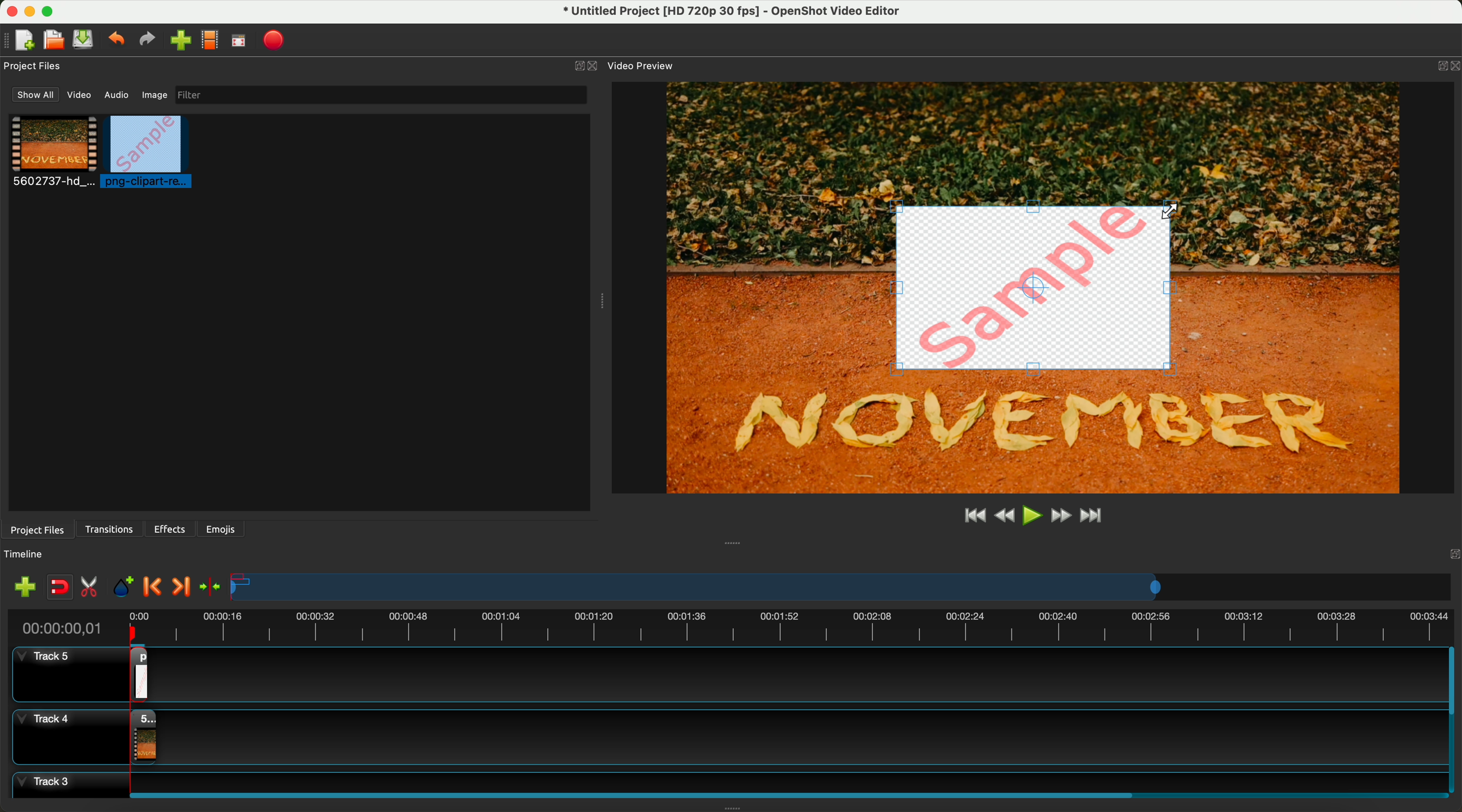 The height and width of the screenshot is (812, 1462). Describe the element at coordinates (153, 96) in the screenshot. I see `image` at that location.